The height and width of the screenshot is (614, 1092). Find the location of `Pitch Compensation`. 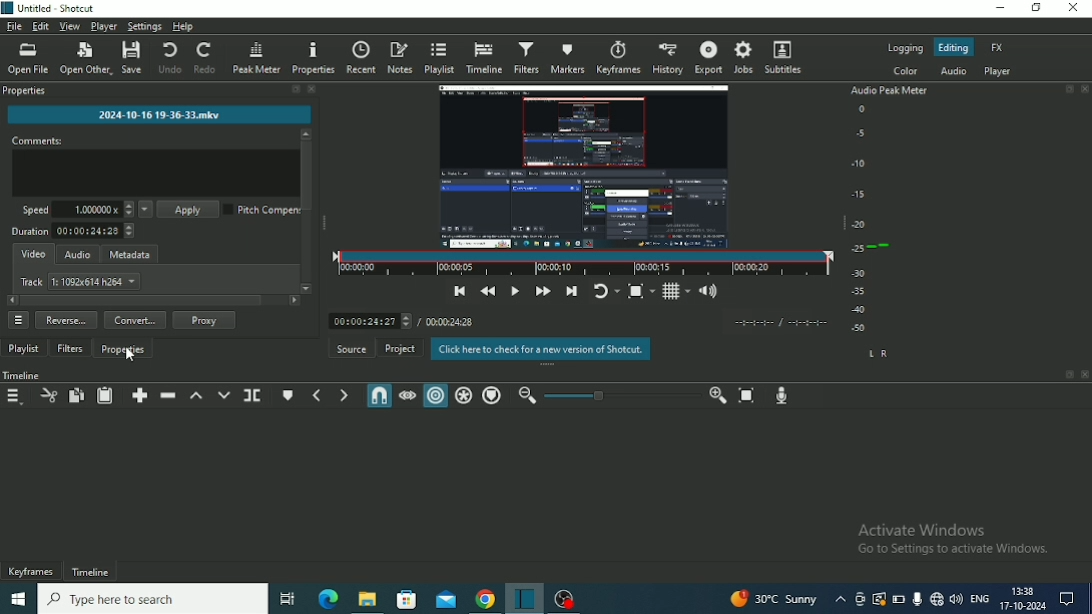

Pitch Compensation is located at coordinates (261, 210).